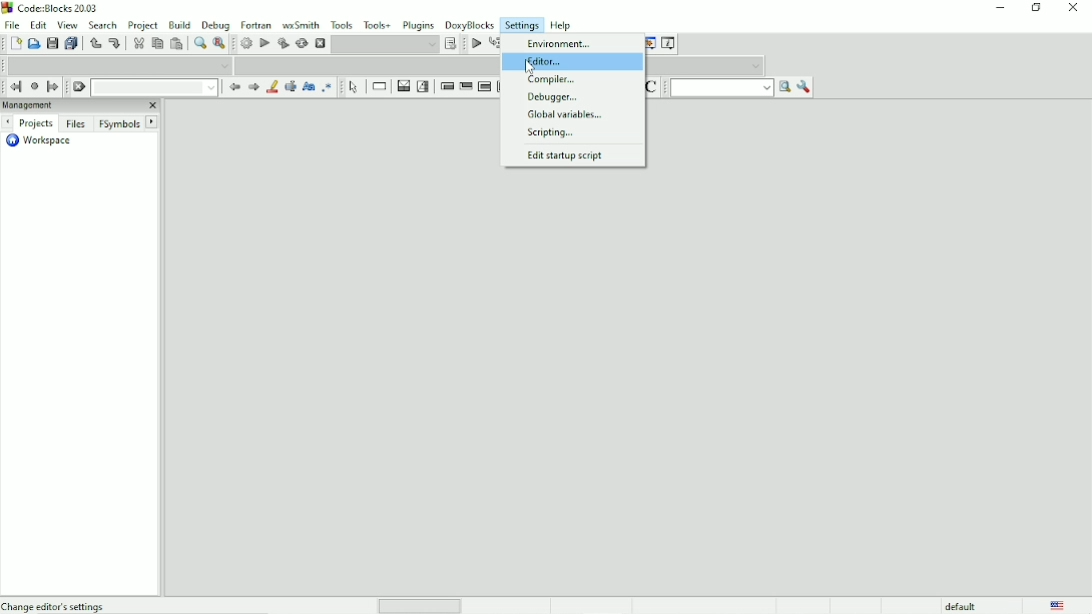 This screenshot has height=614, width=1092. I want to click on Scripting, so click(565, 132).